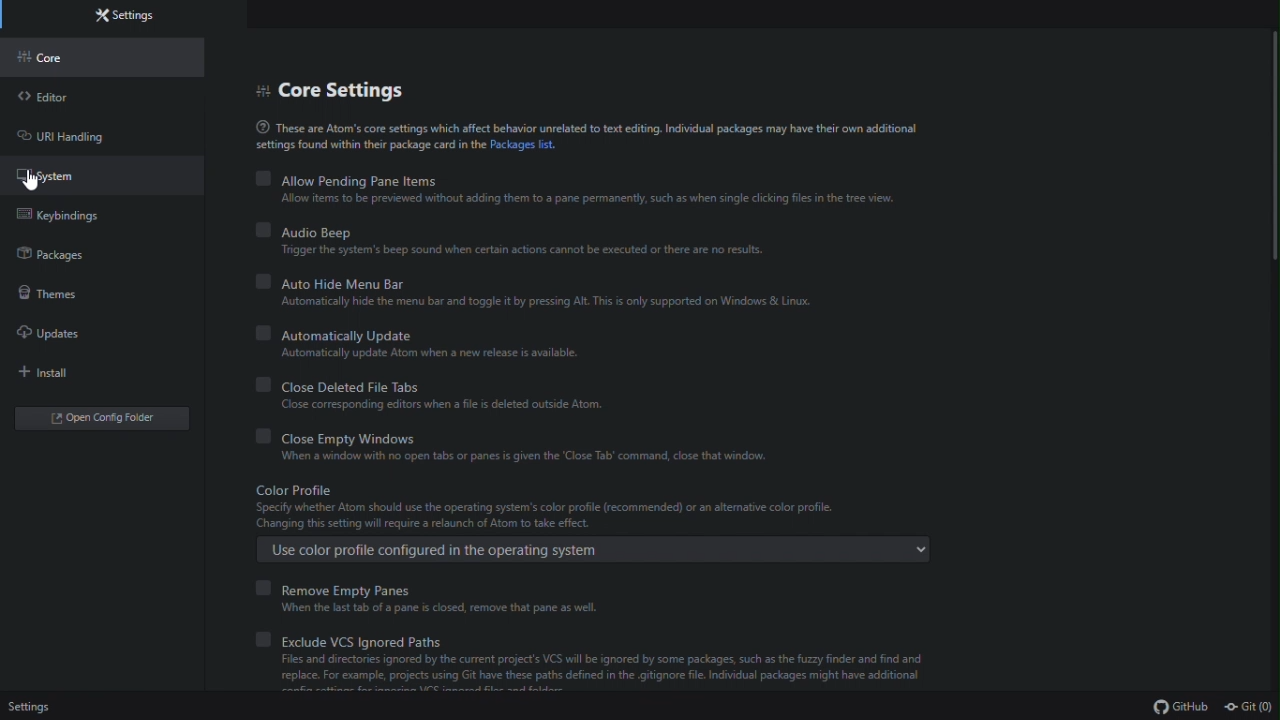 The image size is (1280, 720). What do you see at coordinates (447, 383) in the screenshot?
I see `Close deleted file tabs` at bounding box center [447, 383].